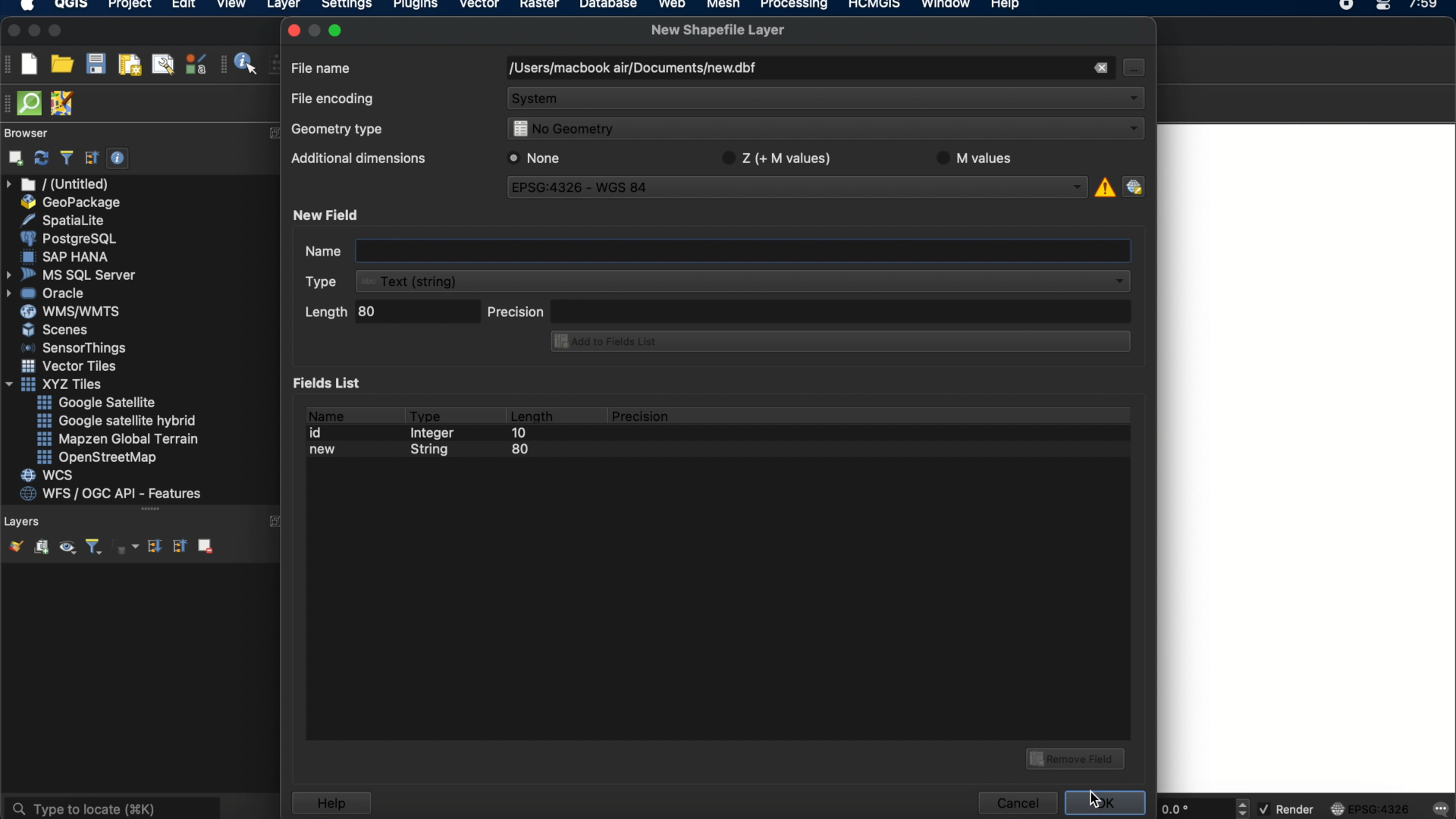 The image size is (1456, 819). I want to click on remove, so click(1100, 68).